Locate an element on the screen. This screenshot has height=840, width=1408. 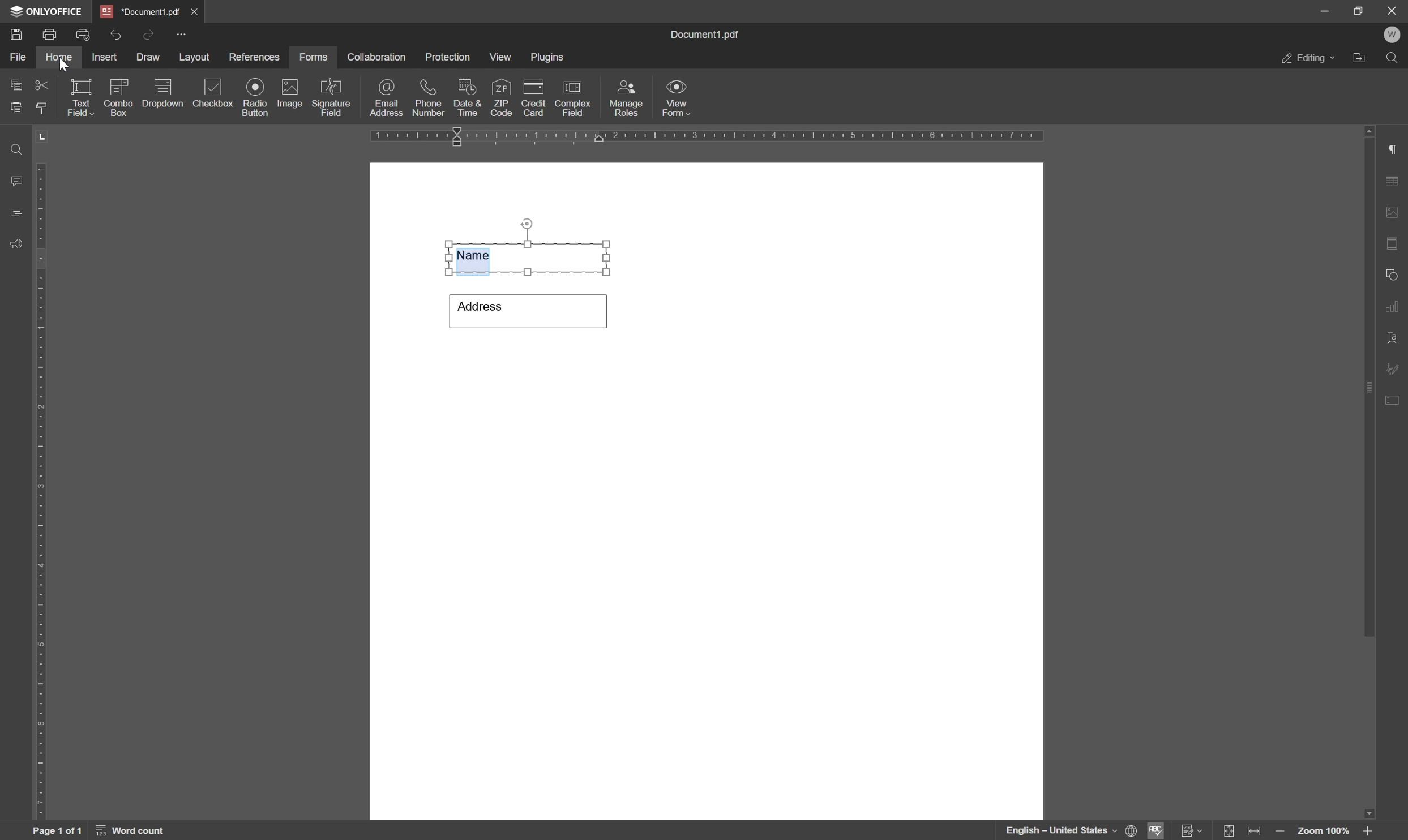
date & time is located at coordinates (467, 96).